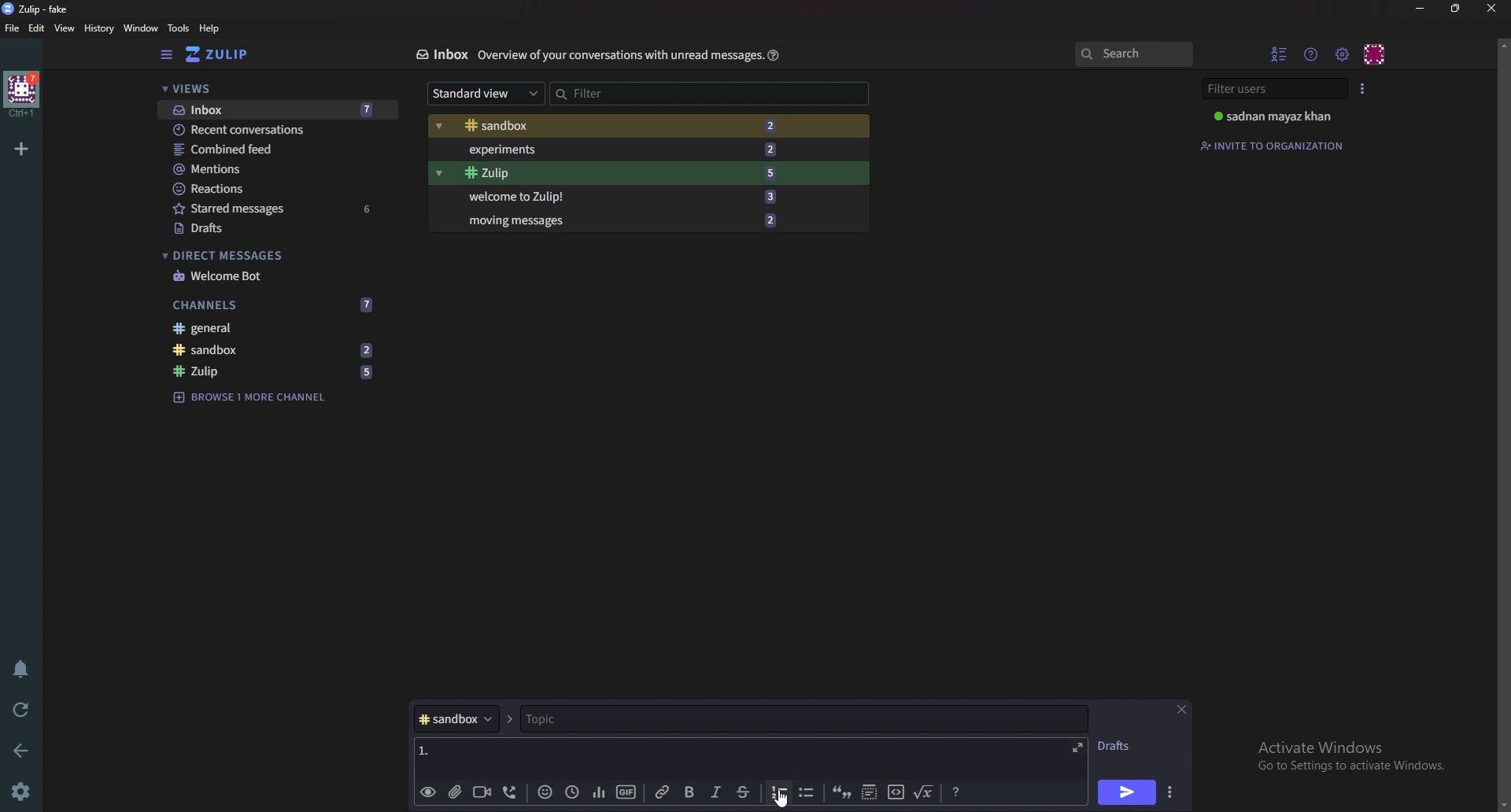 Image resolution: width=1511 pixels, height=812 pixels. Describe the element at coordinates (272, 228) in the screenshot. I see `Drafts` at that location.